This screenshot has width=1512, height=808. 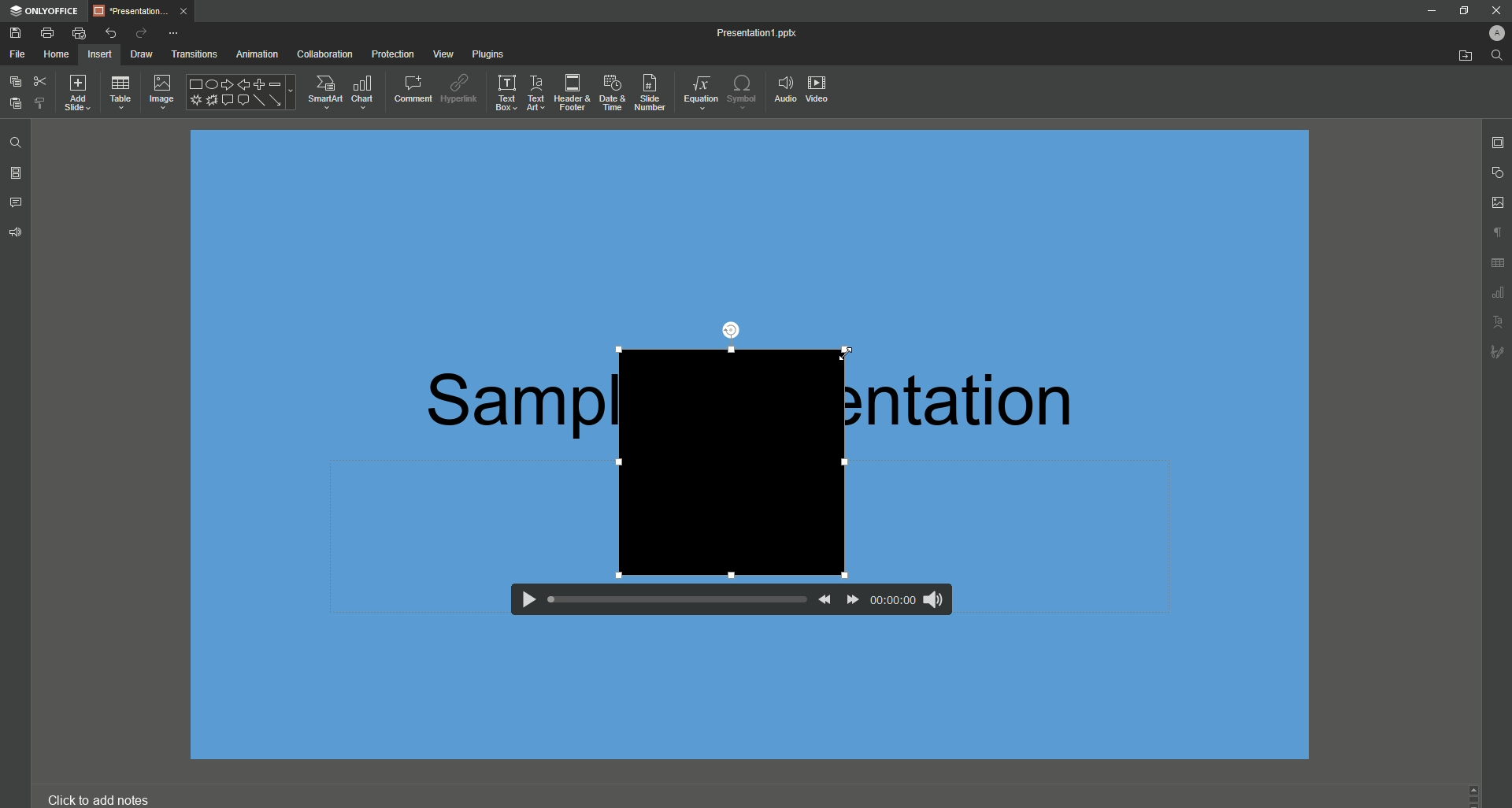 I want to click on presentation..., so click(x=146, y=9).